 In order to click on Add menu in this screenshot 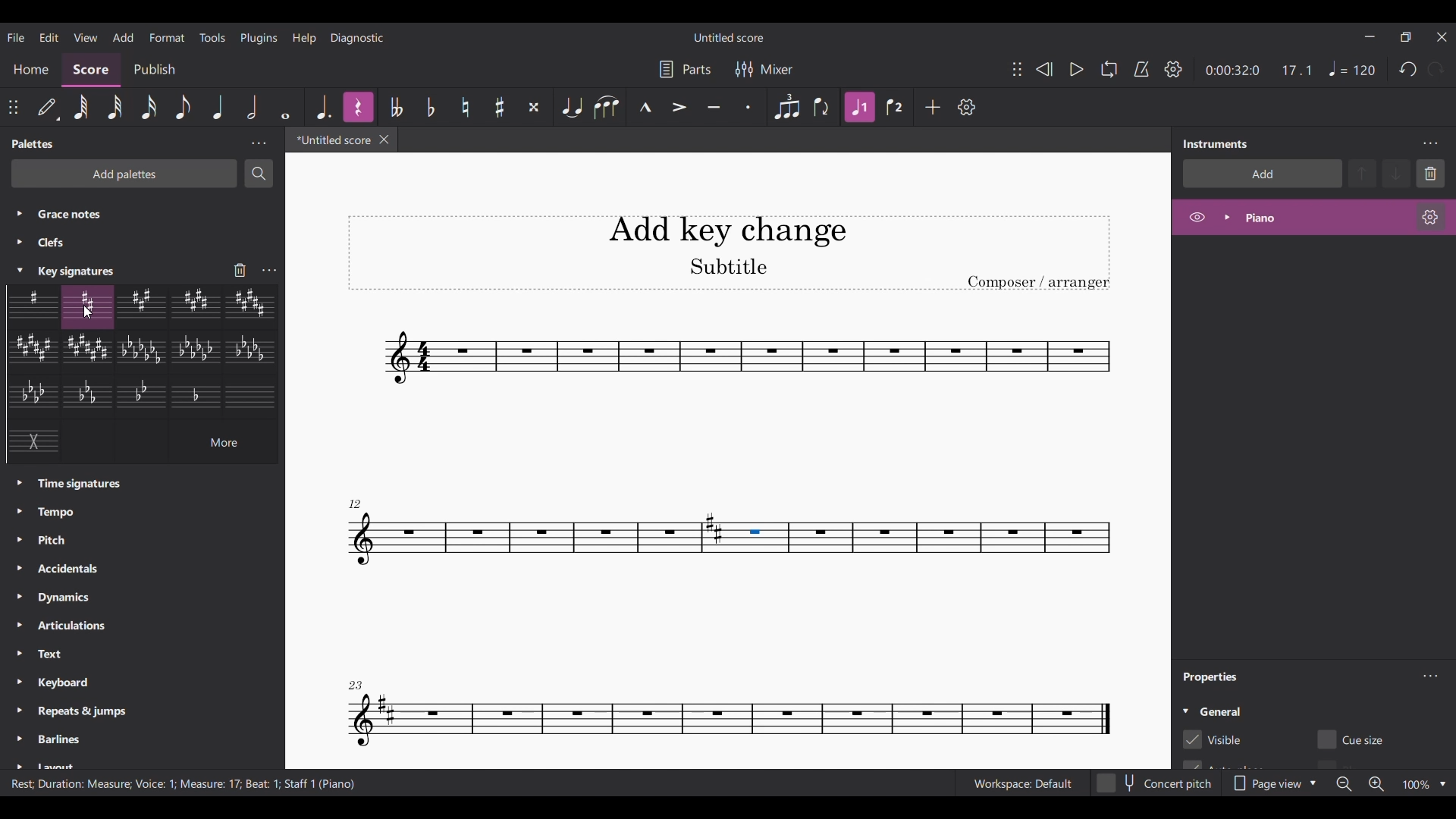, I will do `click(124, 37)`.